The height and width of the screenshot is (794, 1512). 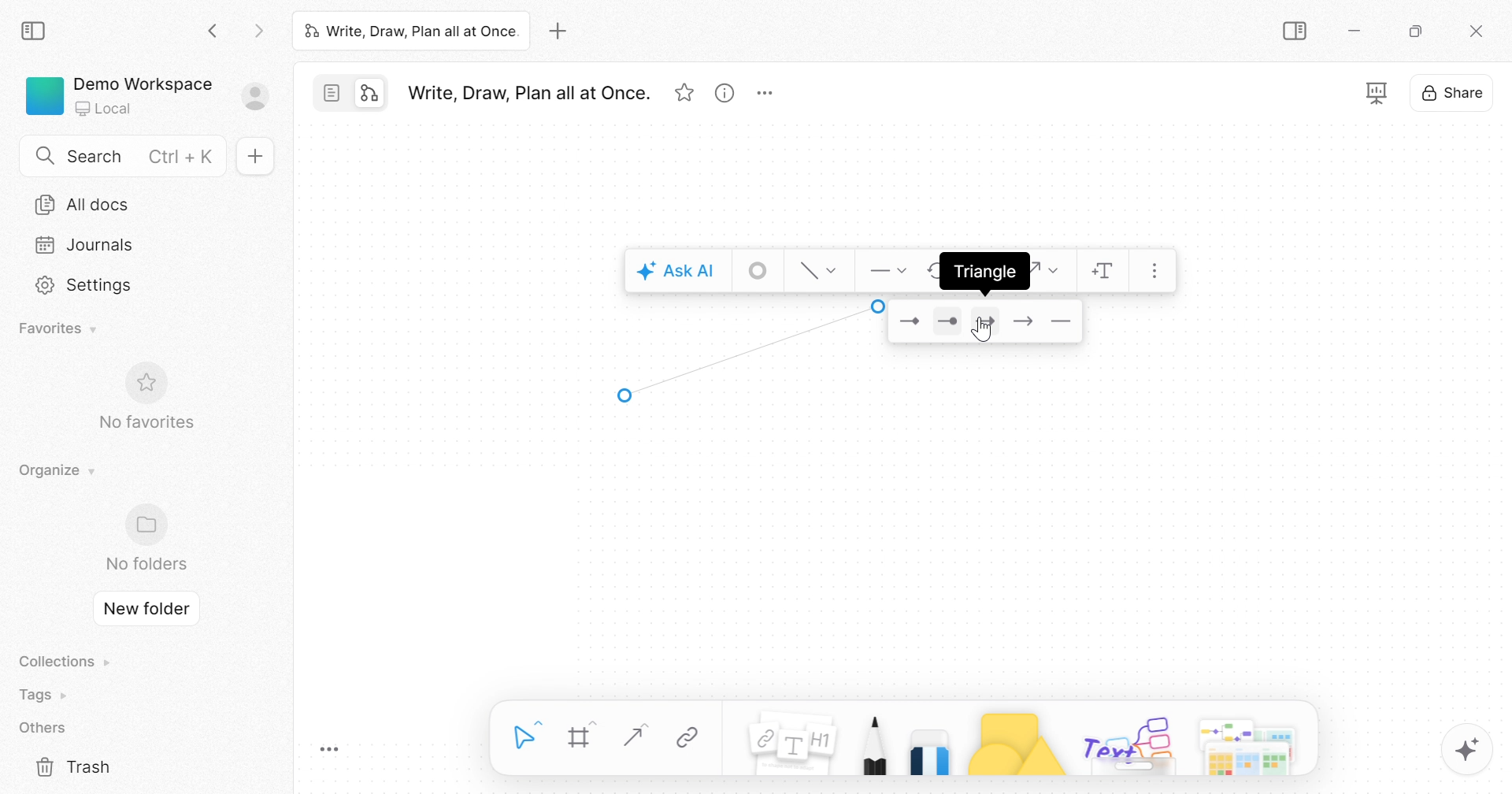 I want to click on Collapse sidebar, so click(x=1298, y=32).